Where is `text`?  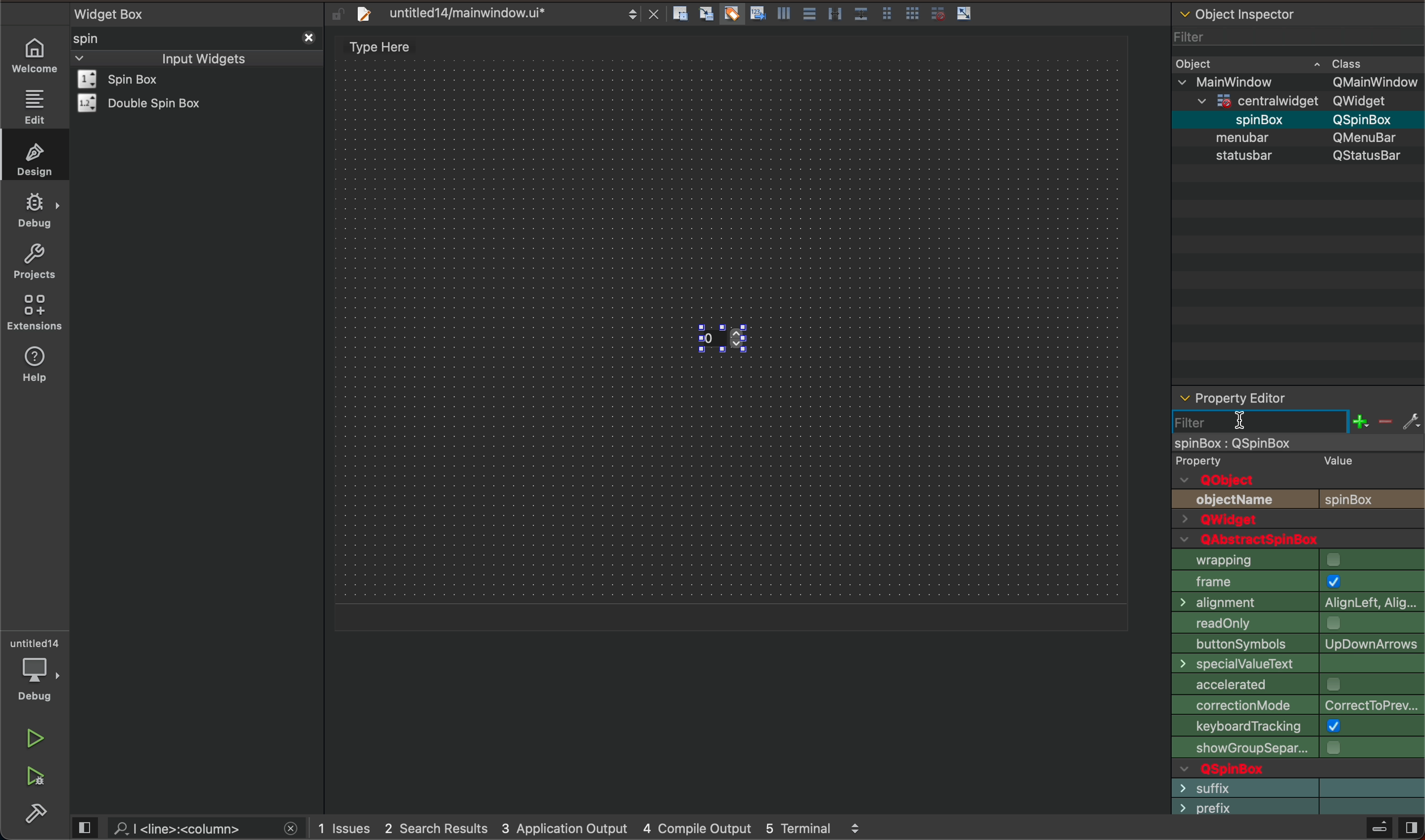
text is located at coordinates (1292, 747).